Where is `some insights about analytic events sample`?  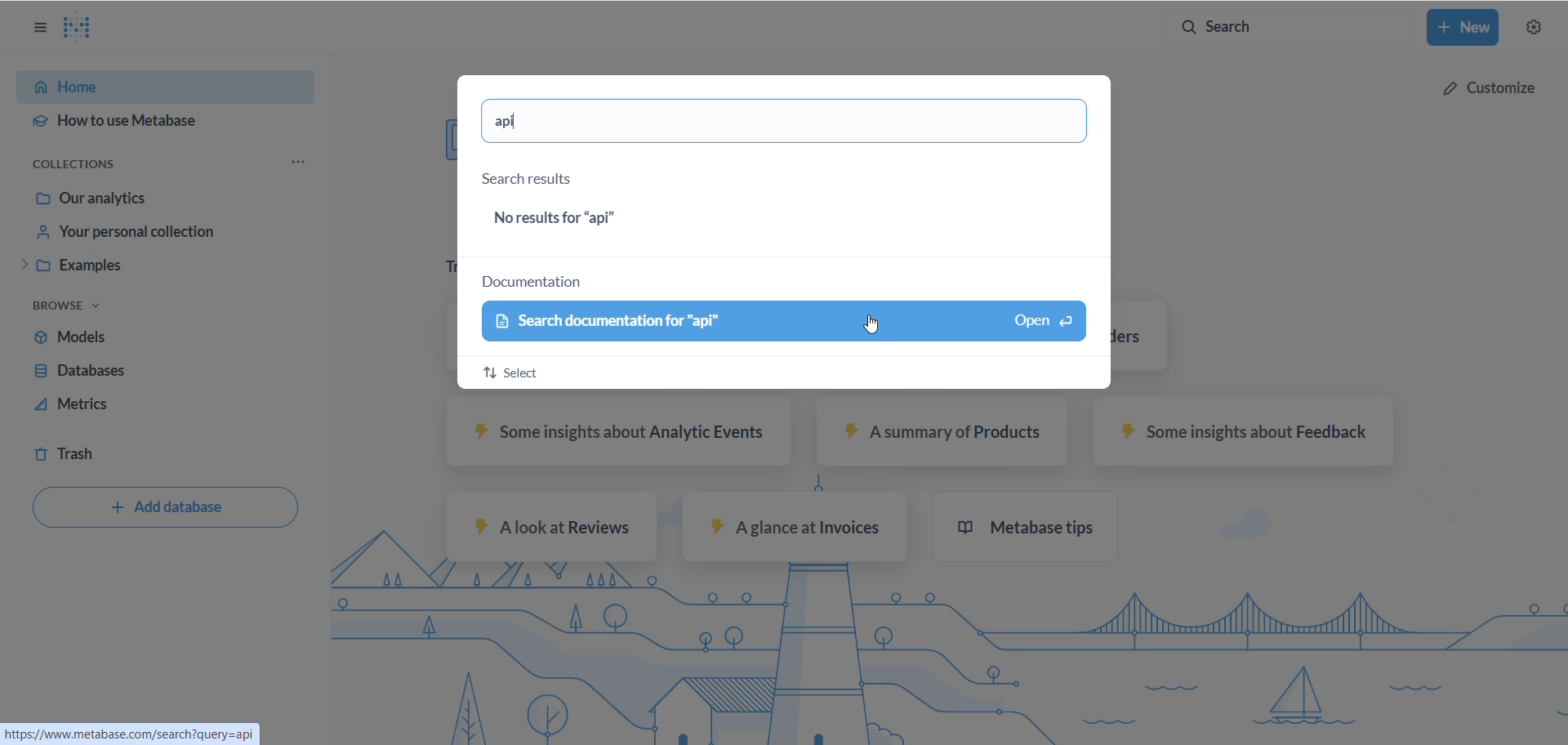
some insights about analytic events sample is located at coordinates (610, 433).